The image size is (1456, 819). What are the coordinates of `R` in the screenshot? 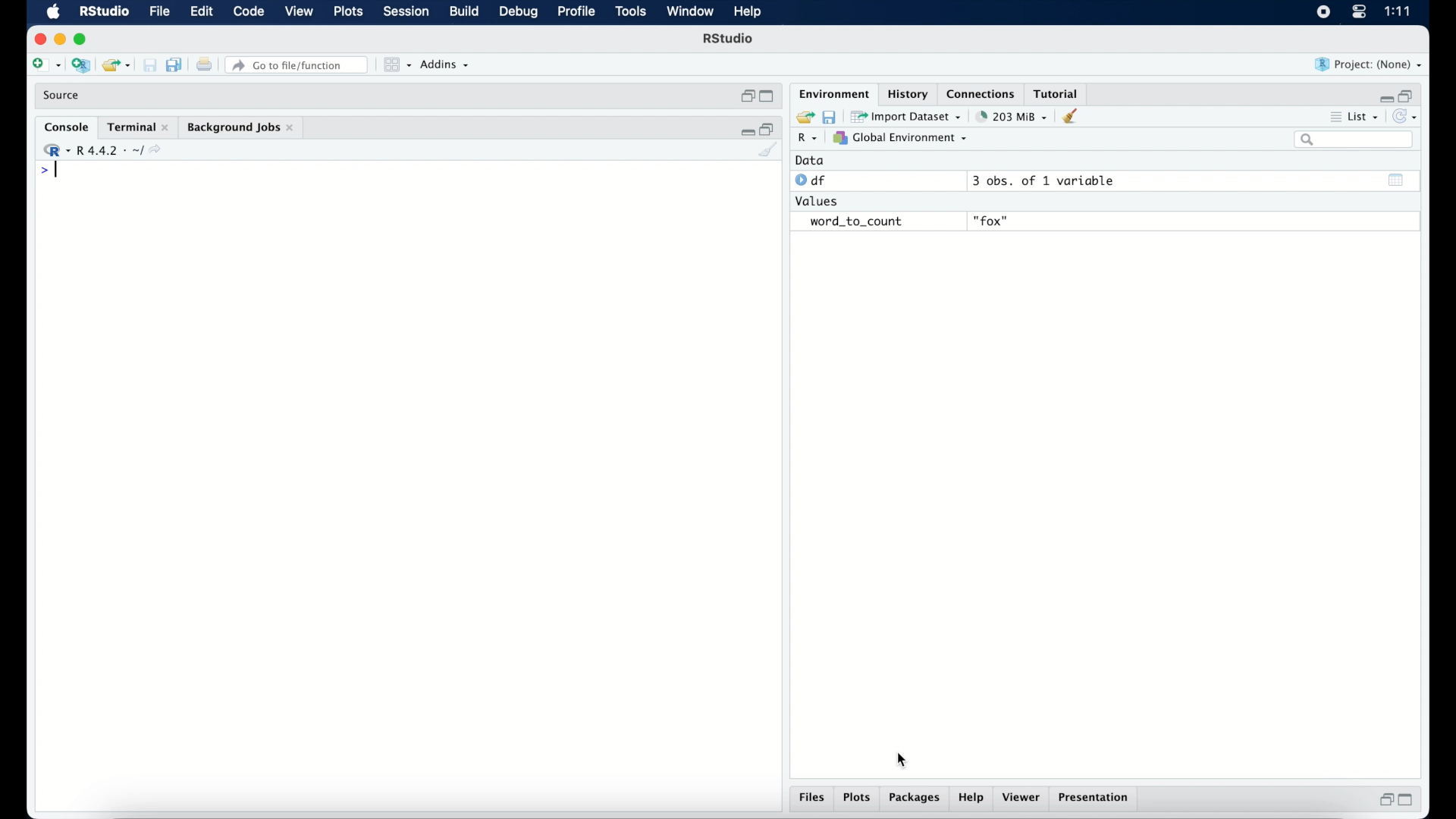 It's located at (808, 139).